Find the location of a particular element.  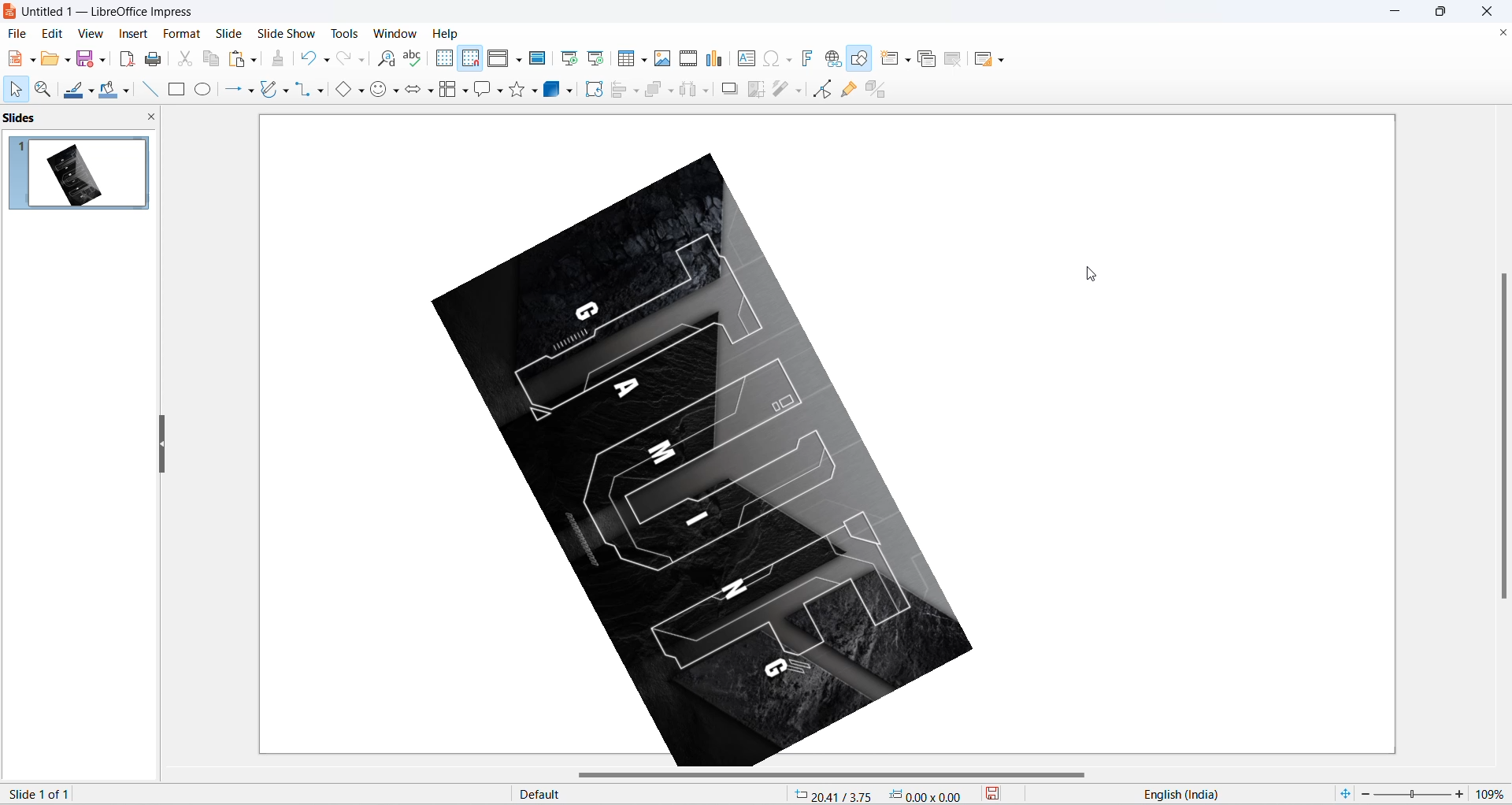

insert charts is located at coordinates (715, 59).